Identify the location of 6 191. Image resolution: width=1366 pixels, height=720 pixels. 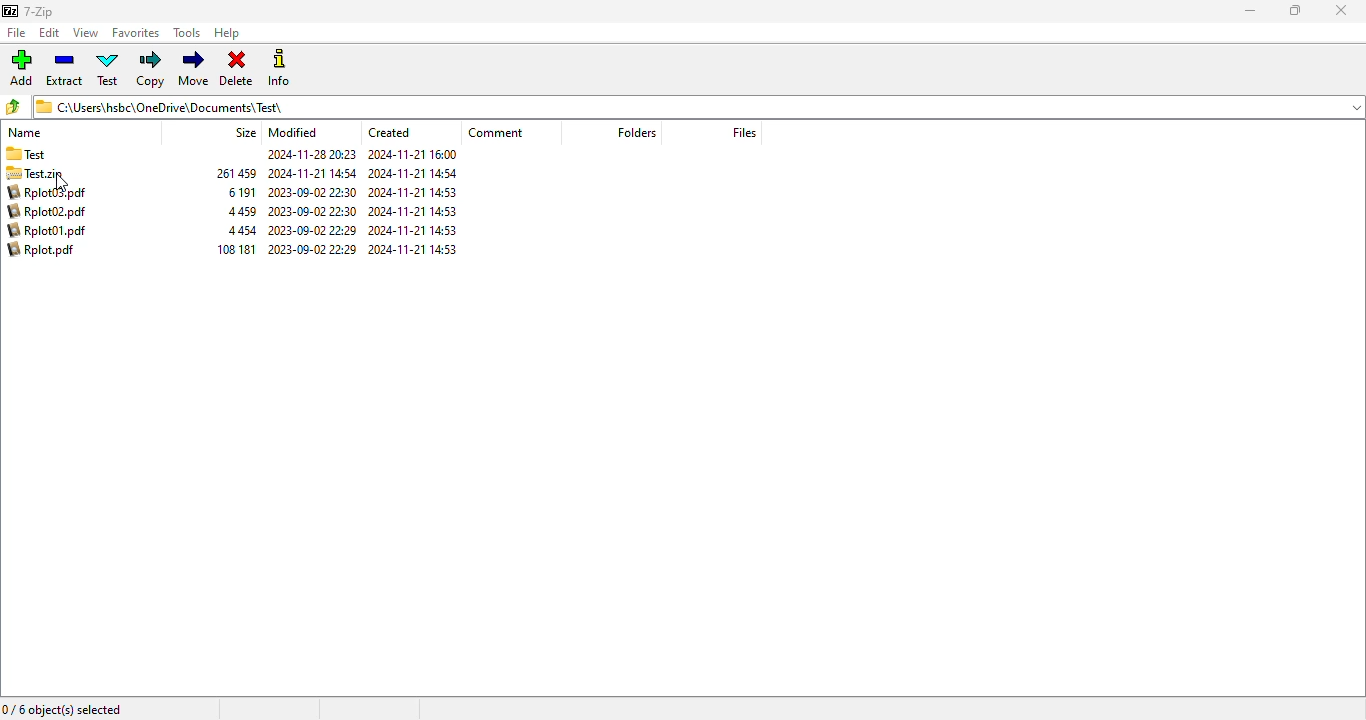
(242, 192).